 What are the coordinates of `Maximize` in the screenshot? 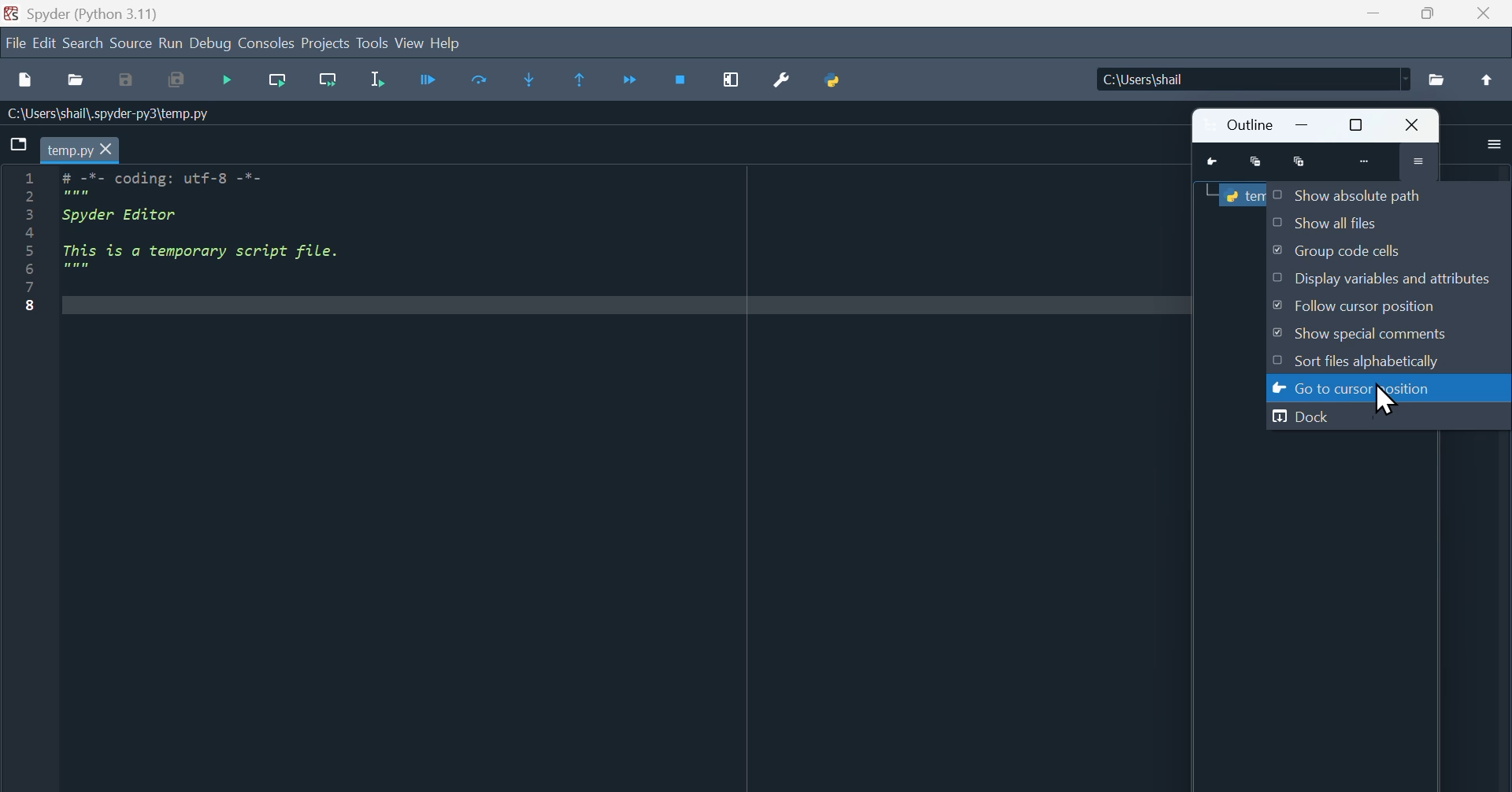 It's located at (1426, 13).